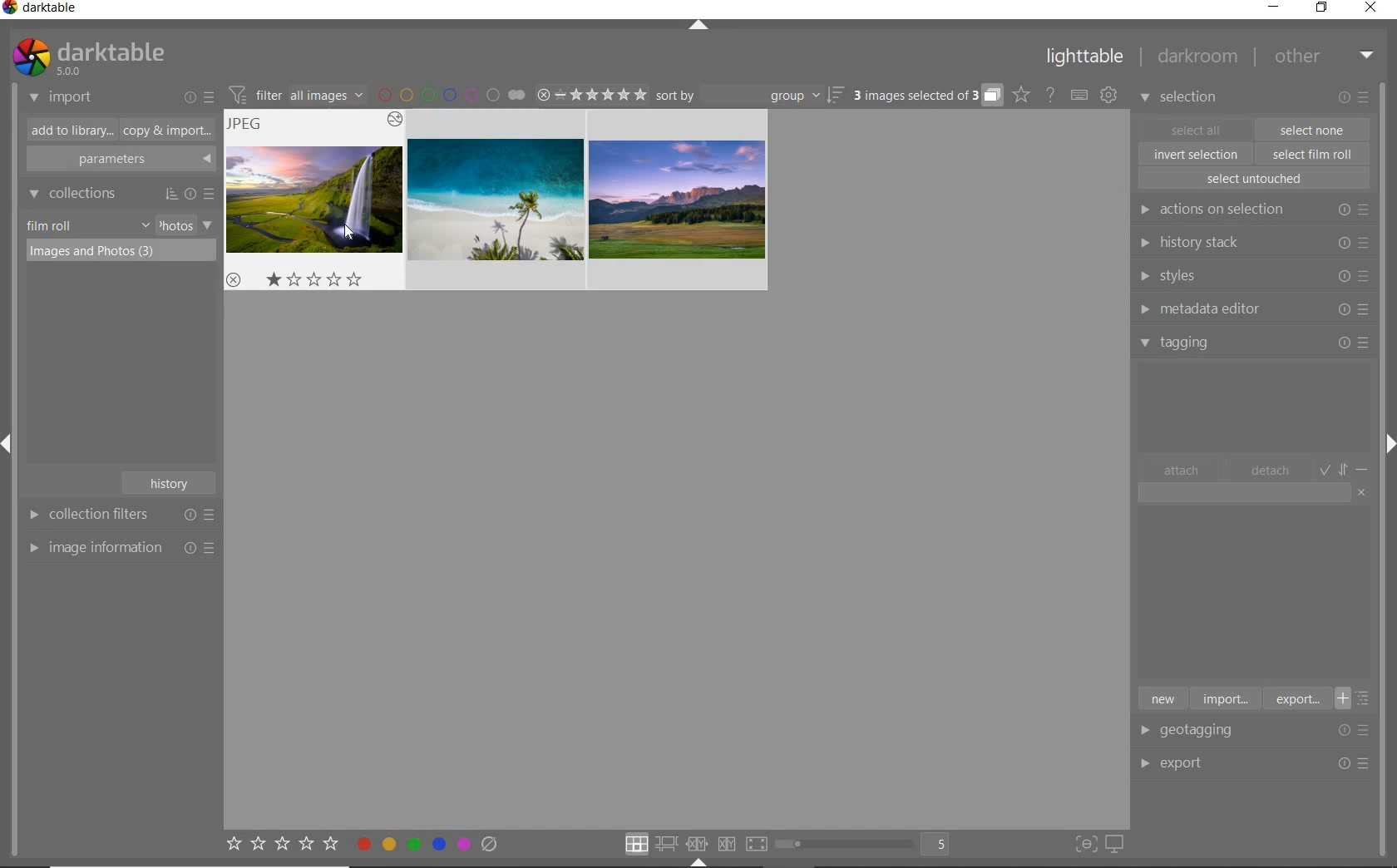 The width and height of the screenshot is (1397, 868). I want to click on collections, so click(119, 194).